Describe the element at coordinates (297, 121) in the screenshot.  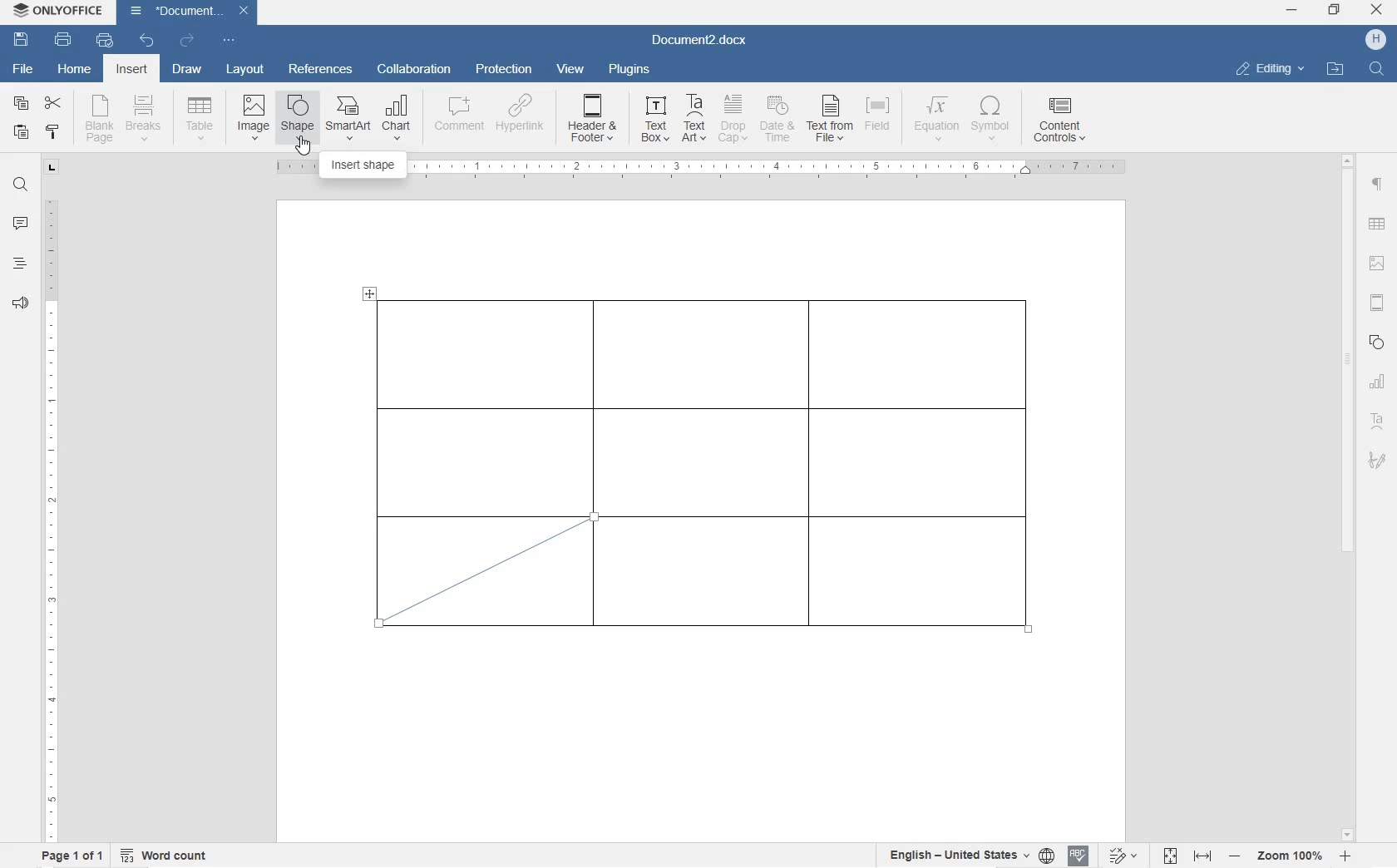
I see `INSERT SHAPE` at that location.